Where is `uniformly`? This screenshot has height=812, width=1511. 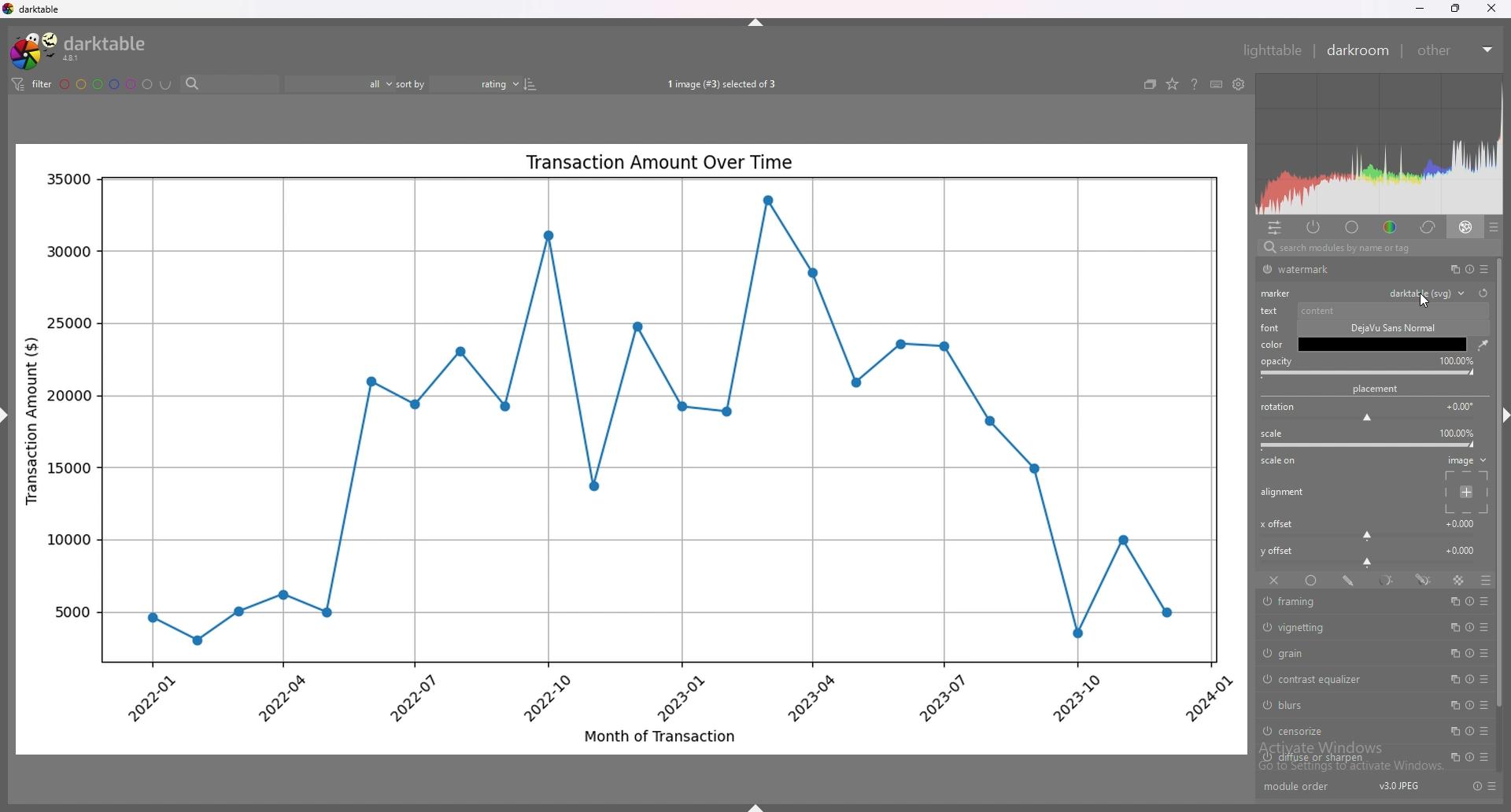
uniformly is located at coordinates (1311, 580).